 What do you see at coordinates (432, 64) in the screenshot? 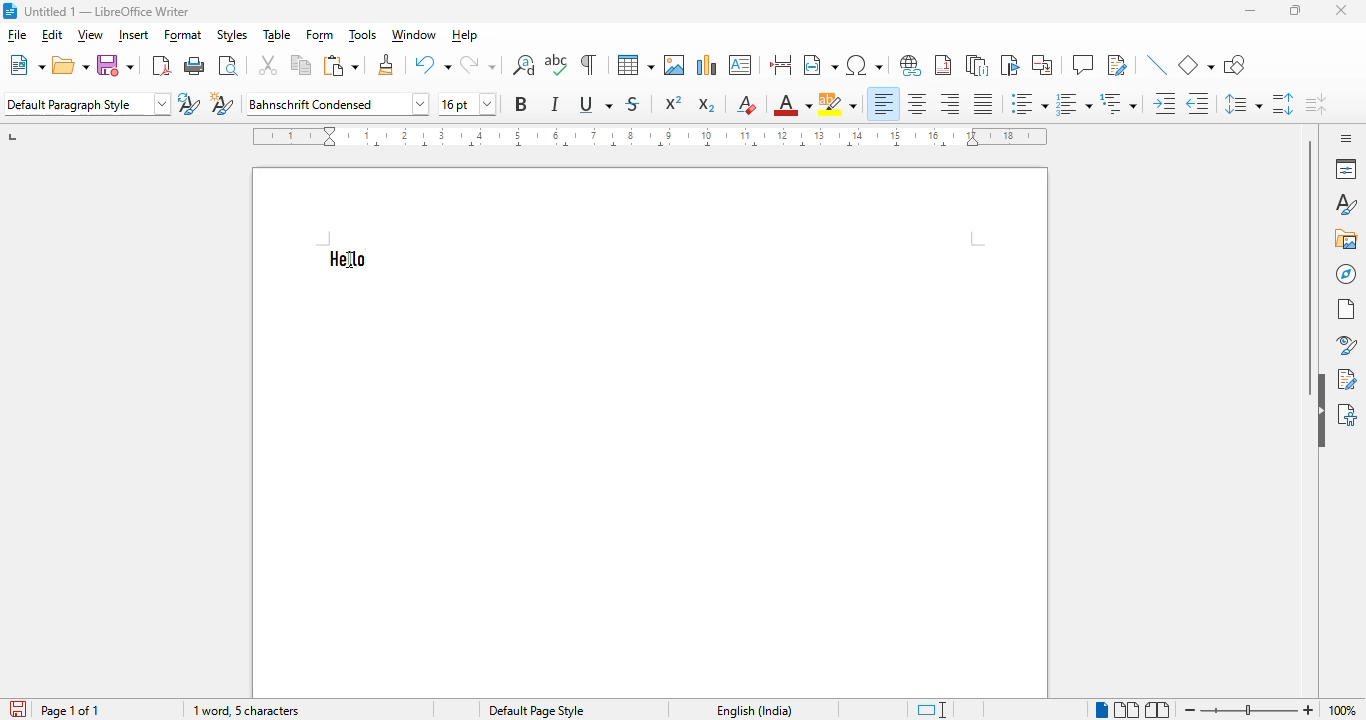
I see `undo` at bounding box center [432, 64].